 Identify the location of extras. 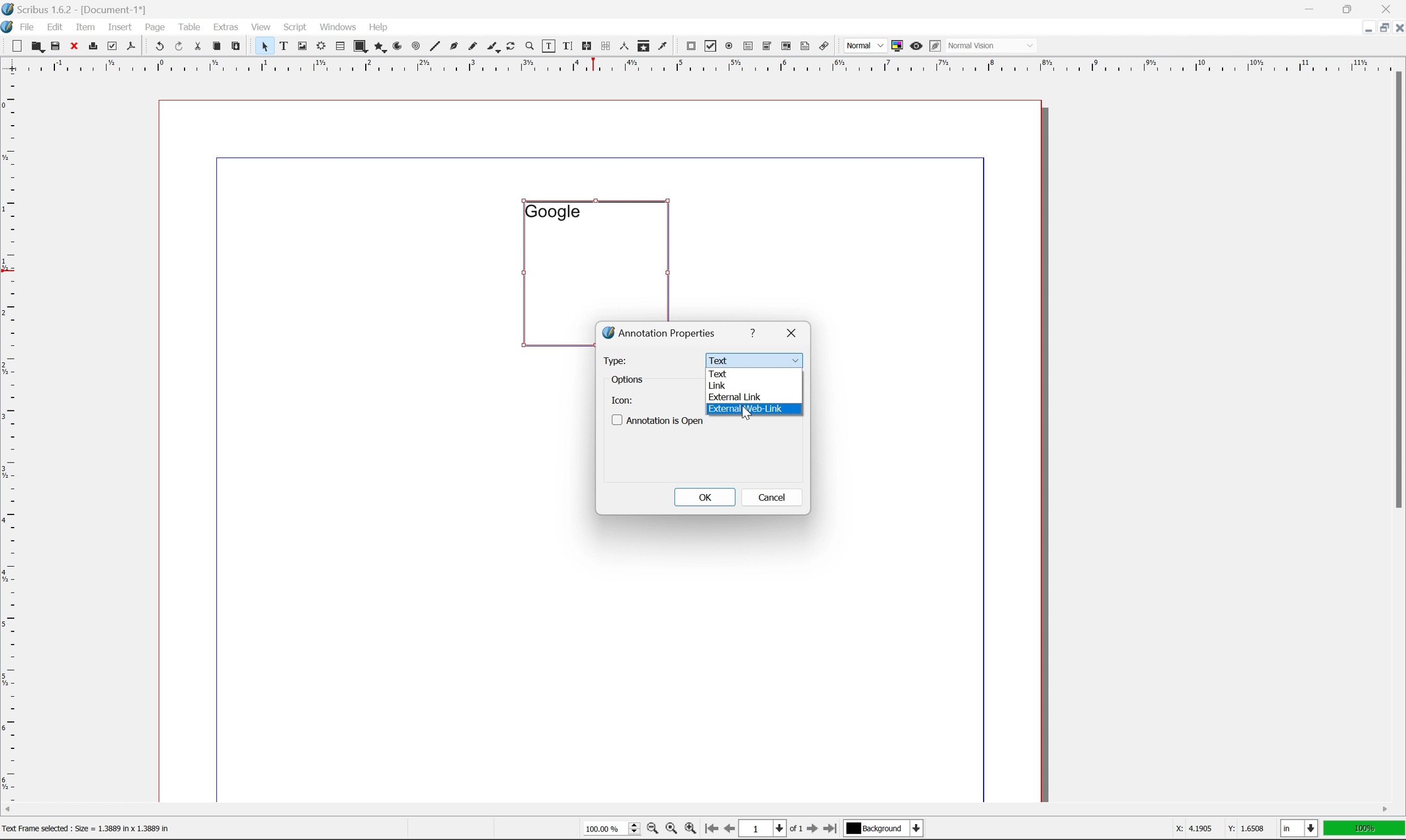
(228, 27).